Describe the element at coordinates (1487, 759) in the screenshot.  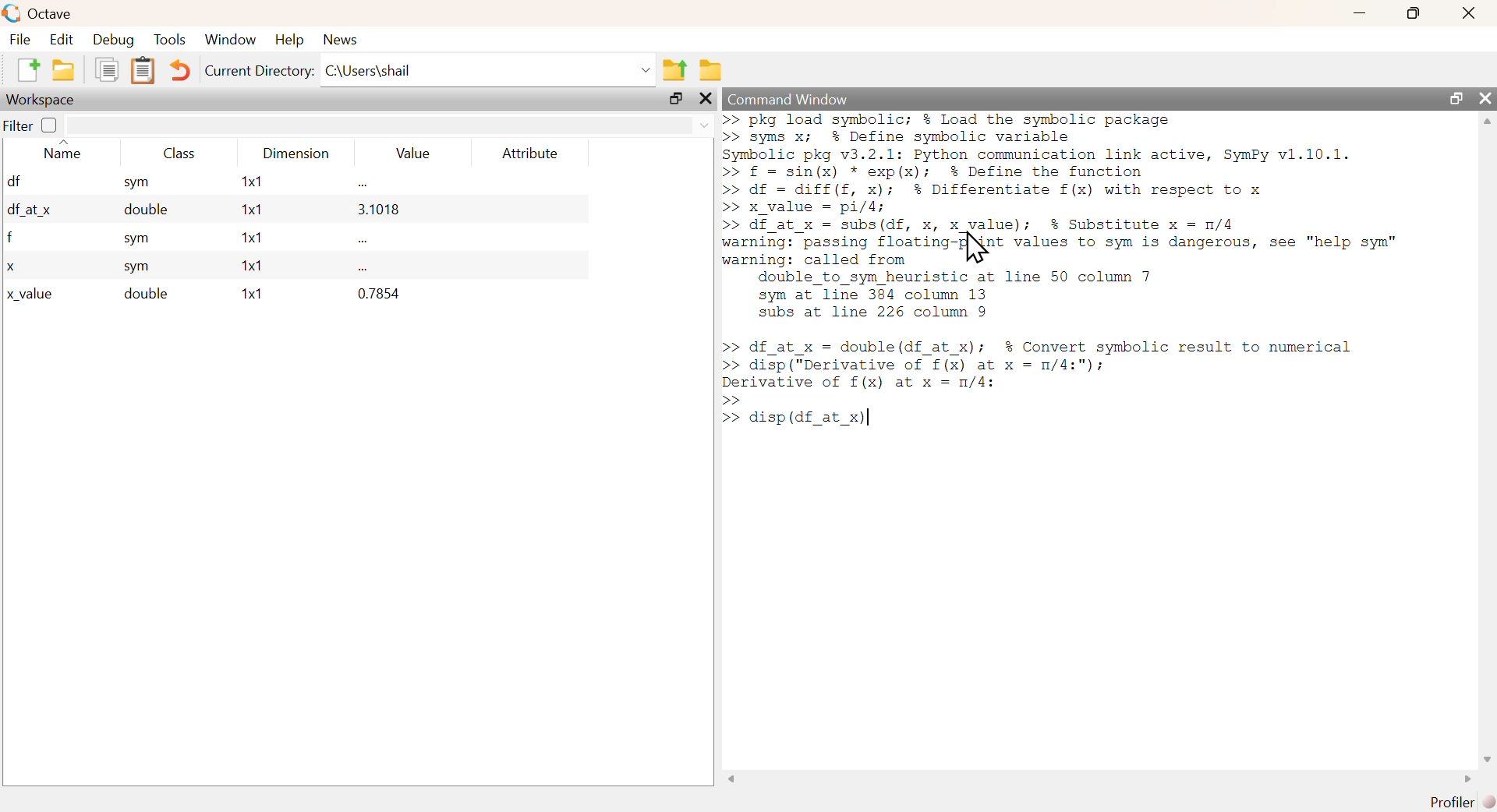
I see `scroll down` at that location.